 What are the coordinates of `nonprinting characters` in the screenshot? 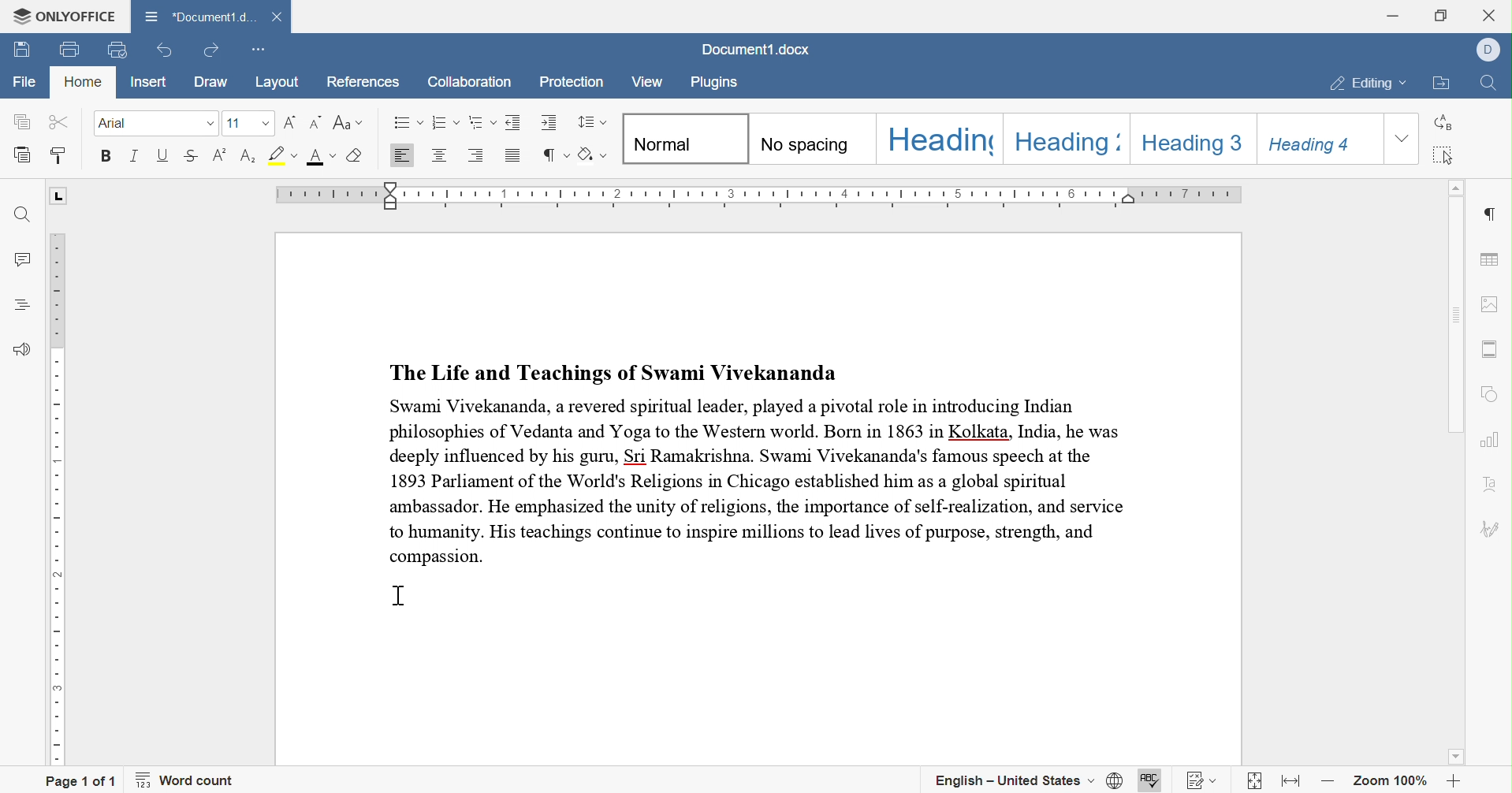 It's located at (553, 155).